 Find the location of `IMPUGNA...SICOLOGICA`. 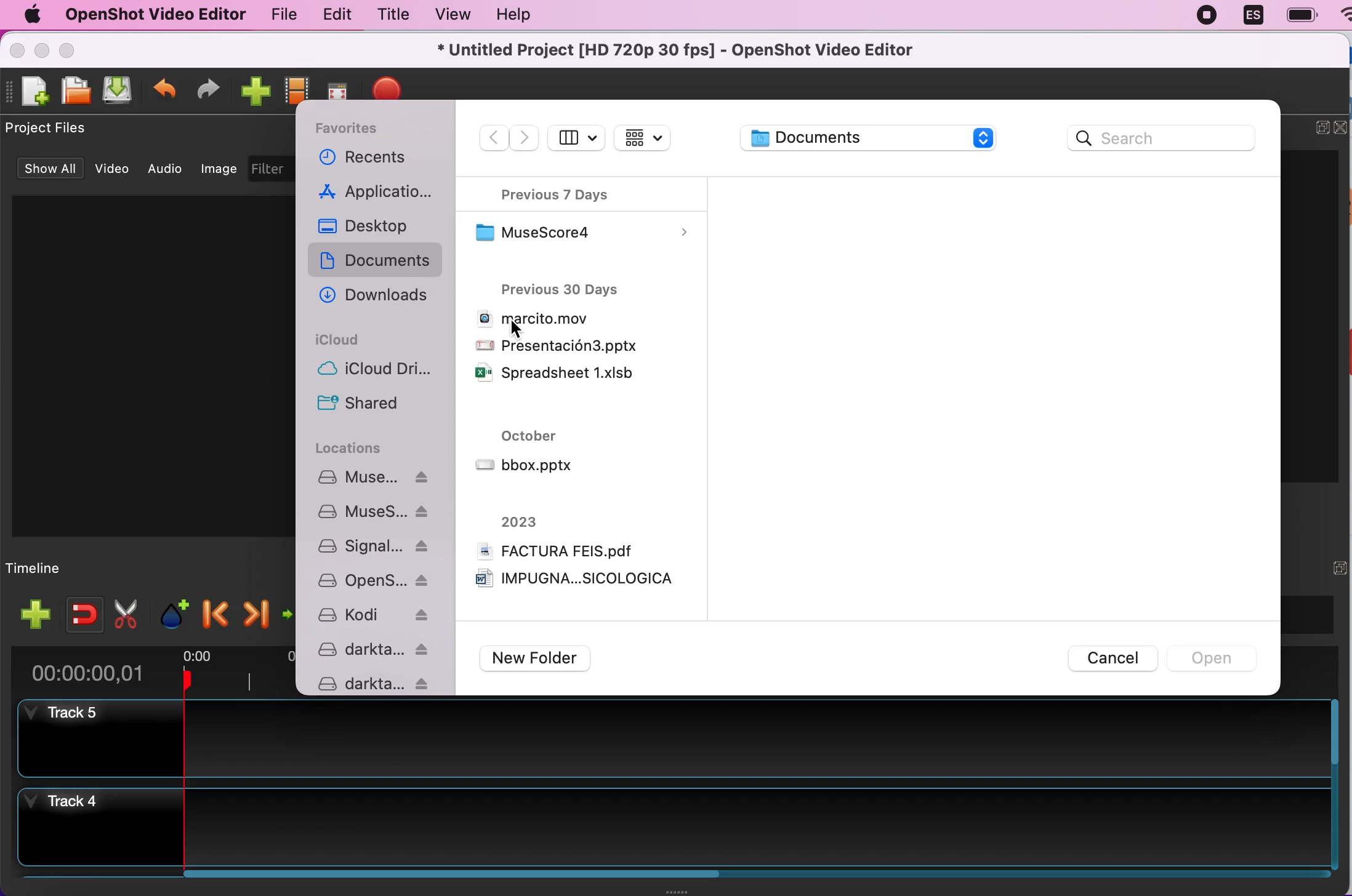

IMPUGNA...SICOLOGICA is located at coordinates (575, 580).